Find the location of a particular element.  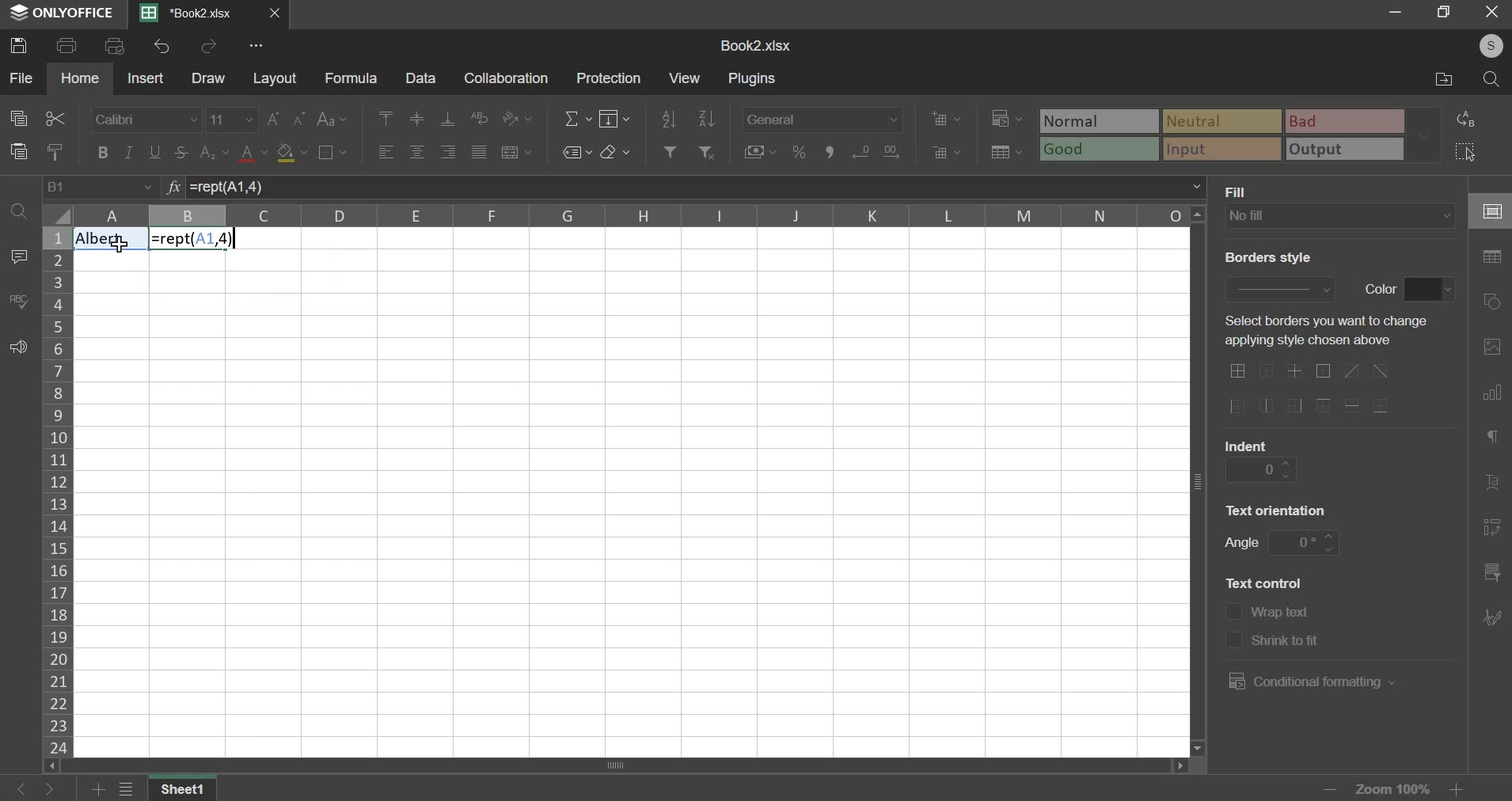

verticle scroll bar is located at coordinates (1202, 480).